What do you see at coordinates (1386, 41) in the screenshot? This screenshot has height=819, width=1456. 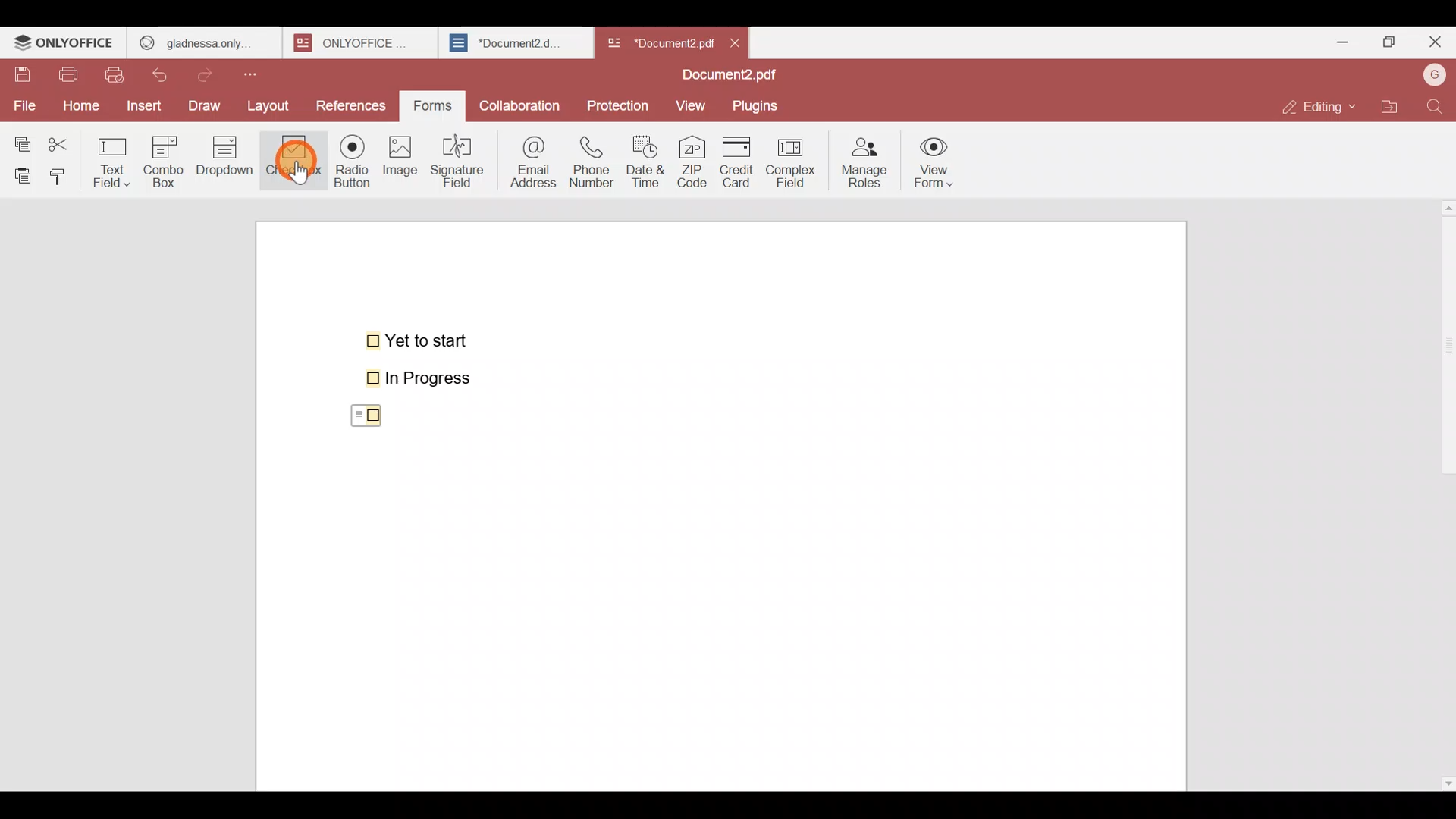 I see `Maximize` at bounding box center [1386, 41].